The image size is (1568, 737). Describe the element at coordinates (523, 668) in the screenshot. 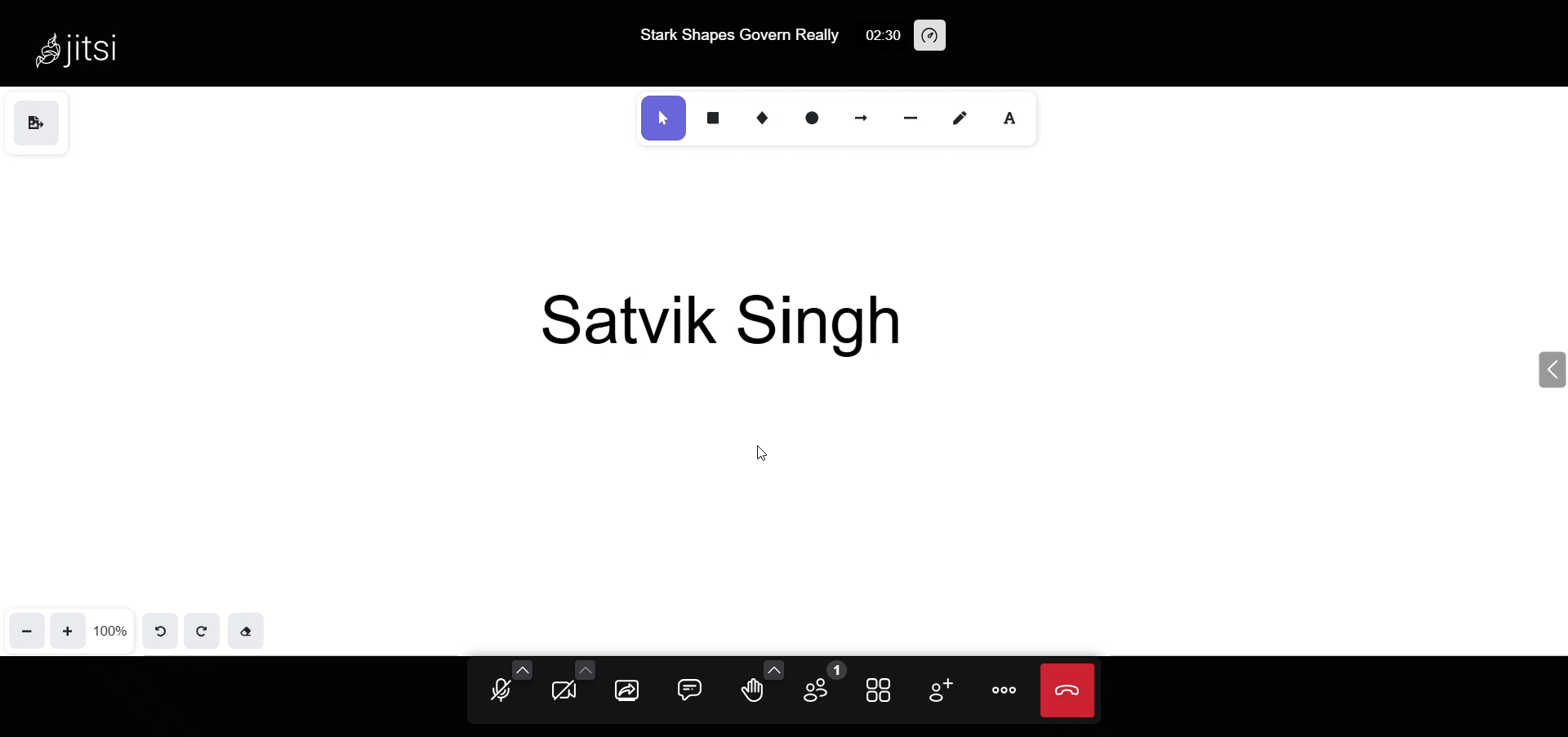

I see `more audio option` at that location.